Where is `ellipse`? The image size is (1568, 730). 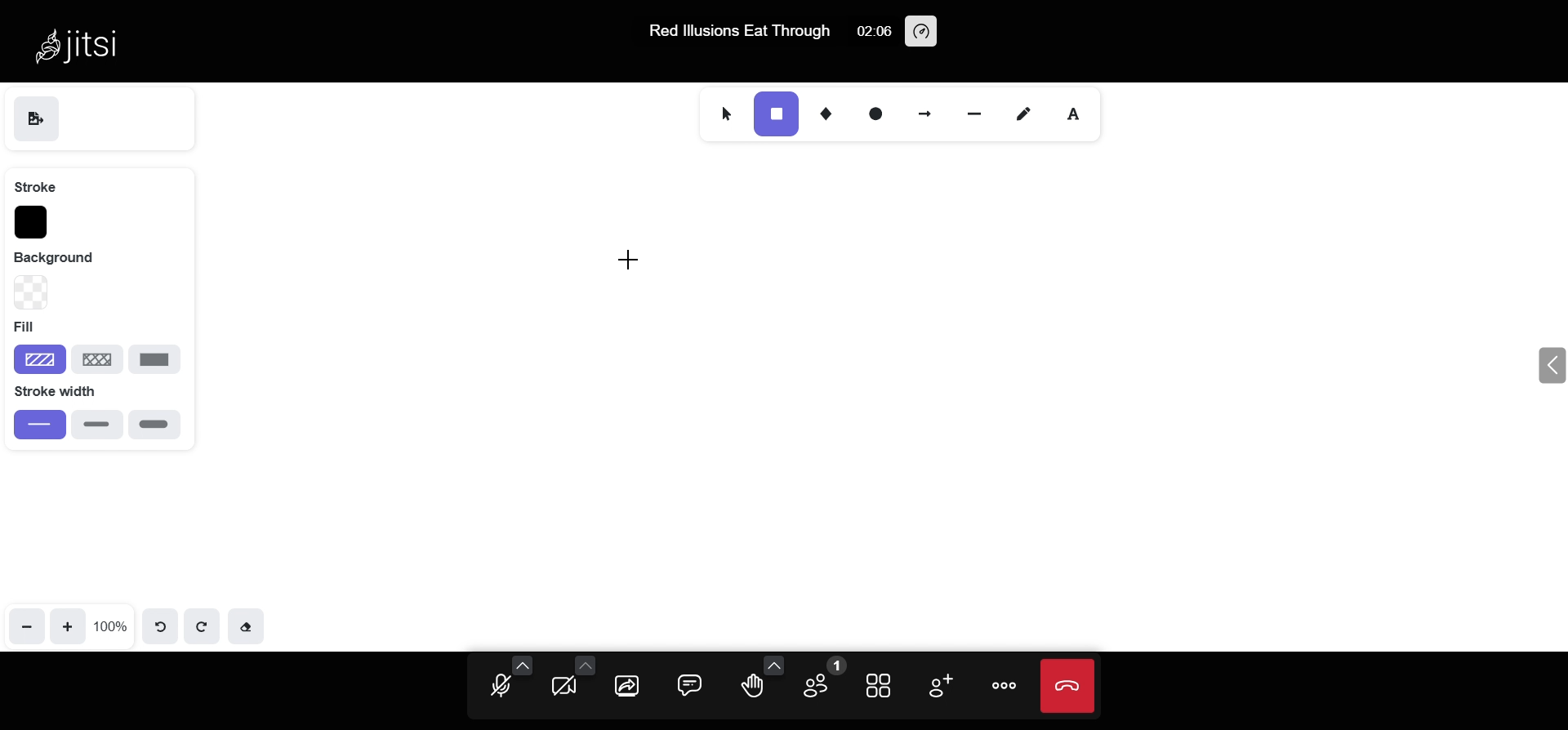 ellipse is located at coordinates (876, 111).